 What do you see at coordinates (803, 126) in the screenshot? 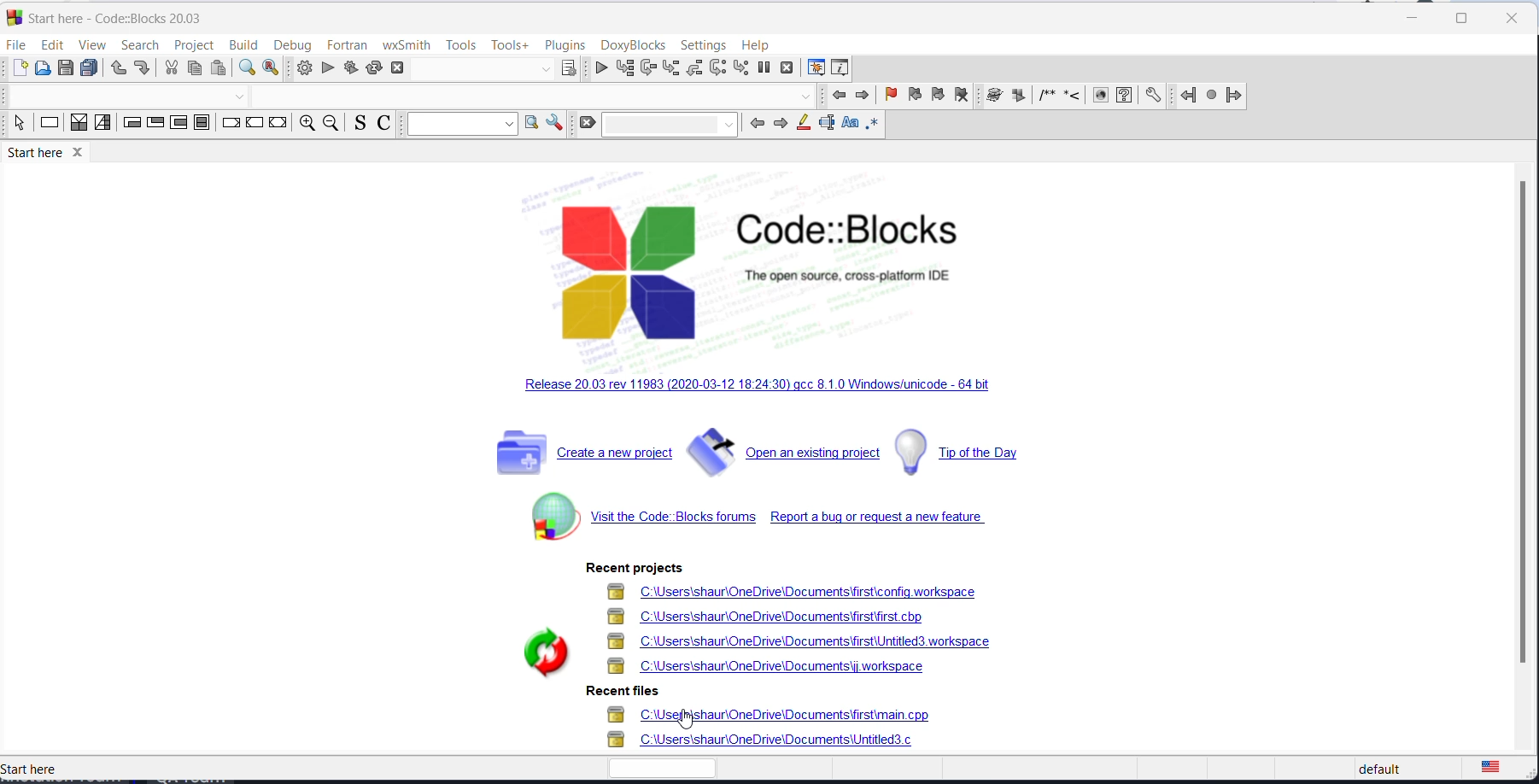
I see `highlight` at bounding box center [803, 126].